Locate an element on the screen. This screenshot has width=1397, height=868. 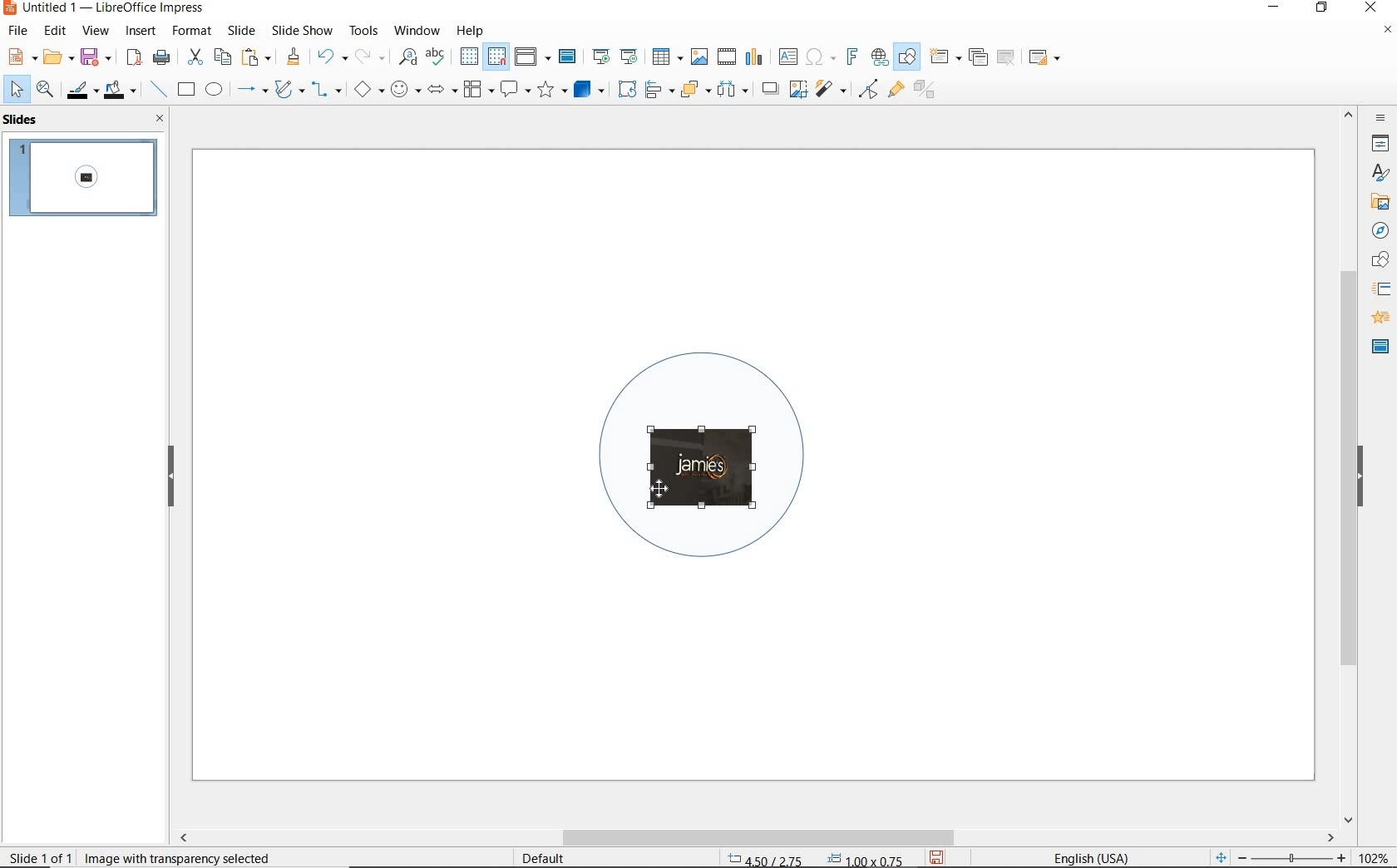
insert chart is located at coordinates (754, 57).